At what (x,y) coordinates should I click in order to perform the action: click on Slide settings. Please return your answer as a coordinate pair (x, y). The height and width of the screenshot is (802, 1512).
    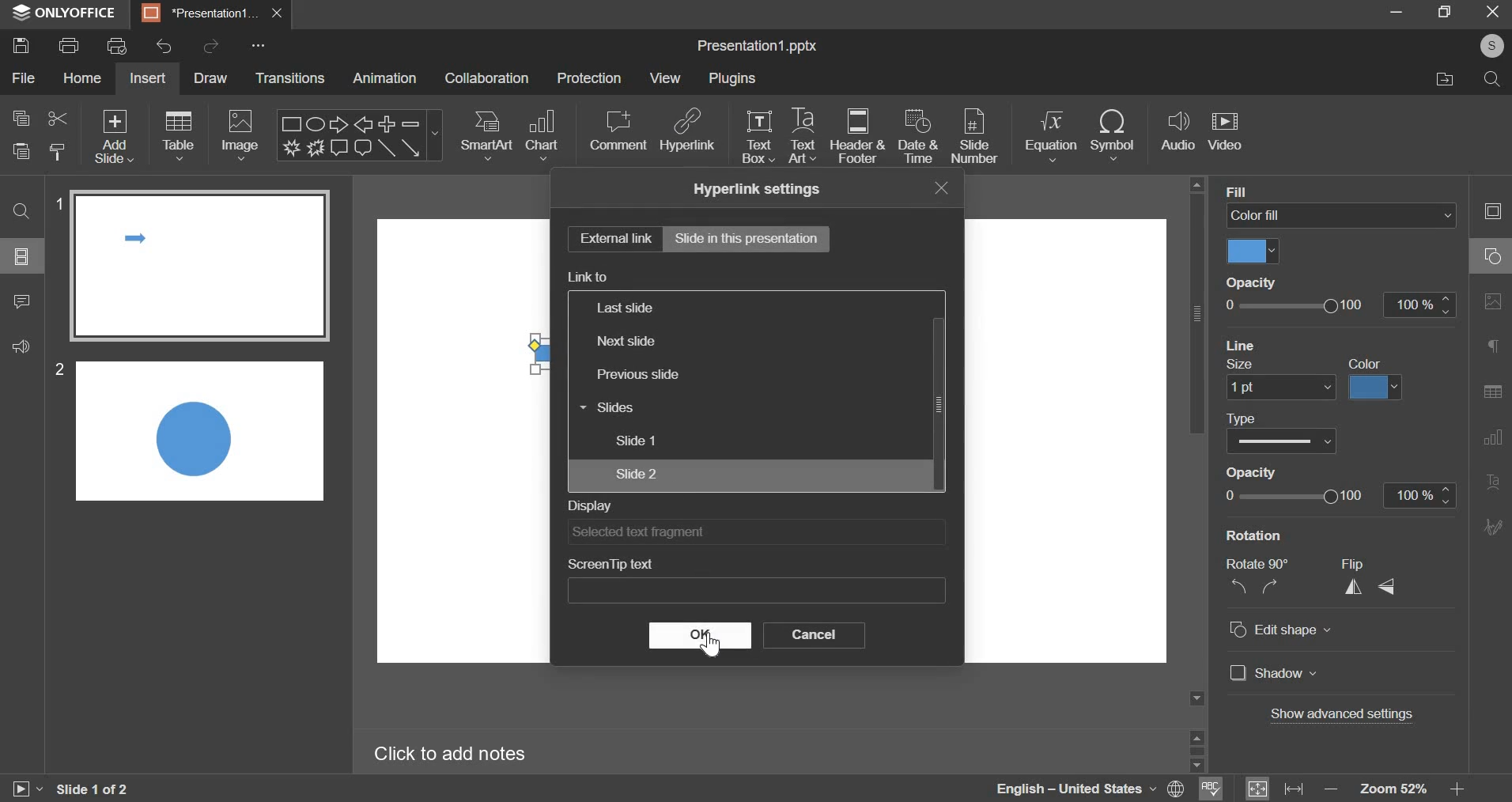
    Looking at the image, I should click on (1495, 213).